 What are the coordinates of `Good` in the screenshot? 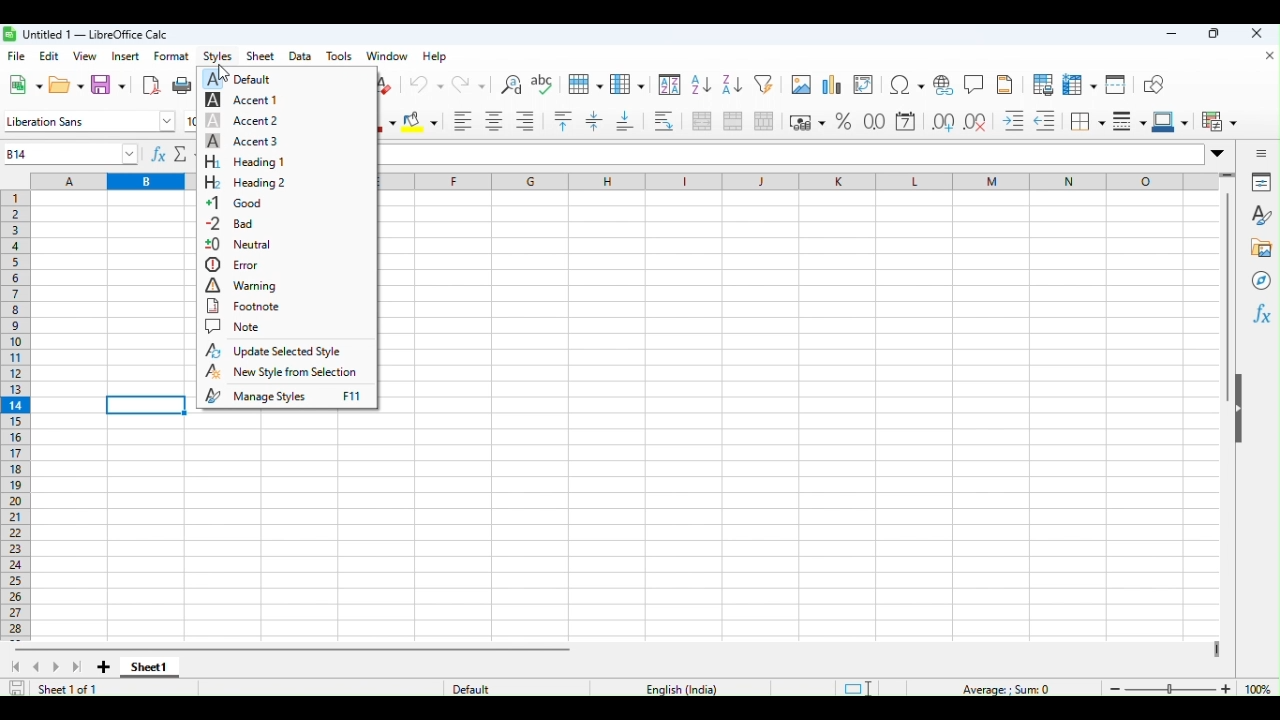 It's located at (242, 203).